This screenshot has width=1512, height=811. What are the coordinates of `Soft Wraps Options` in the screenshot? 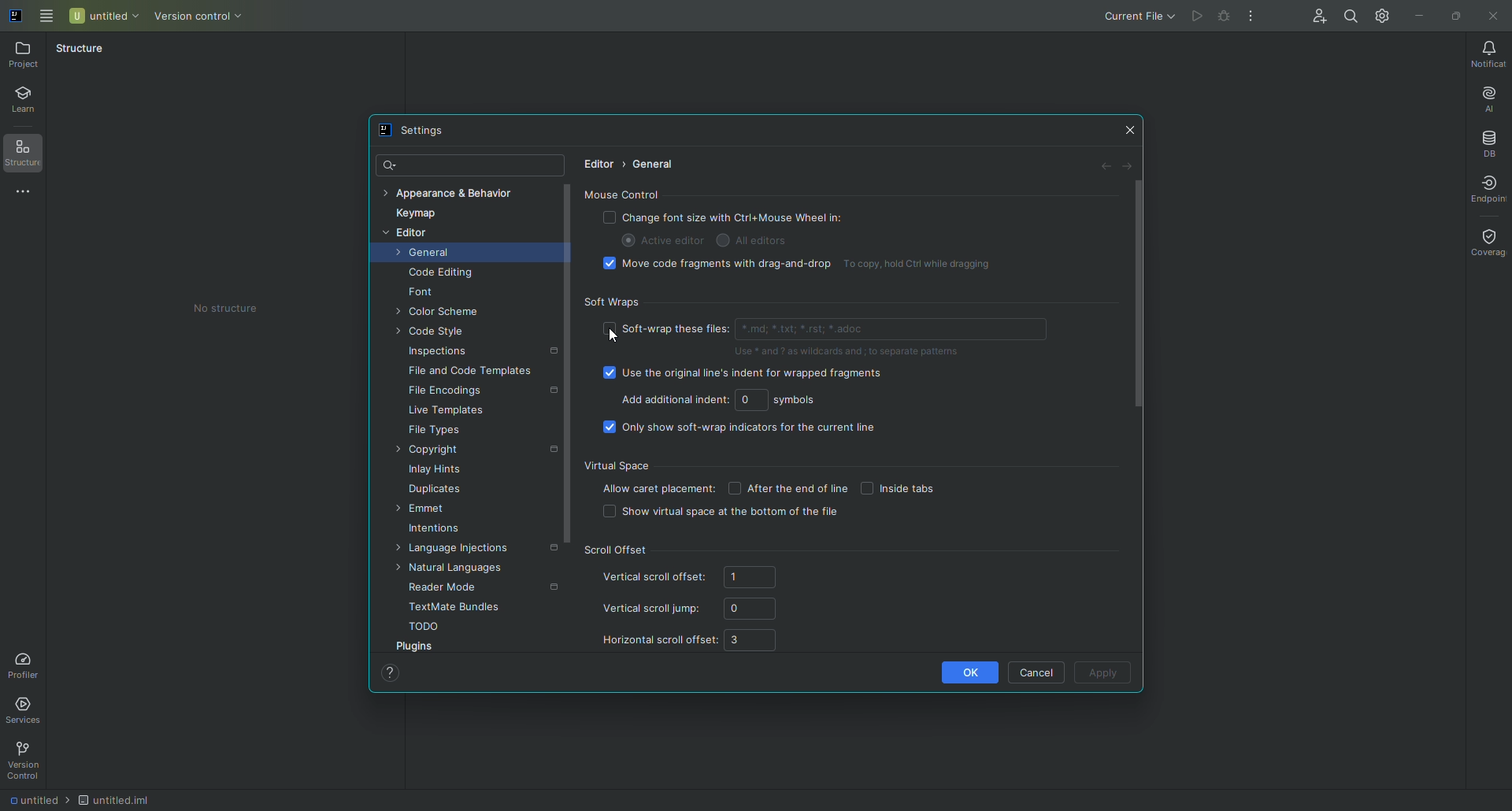 It's located at (821, 366).